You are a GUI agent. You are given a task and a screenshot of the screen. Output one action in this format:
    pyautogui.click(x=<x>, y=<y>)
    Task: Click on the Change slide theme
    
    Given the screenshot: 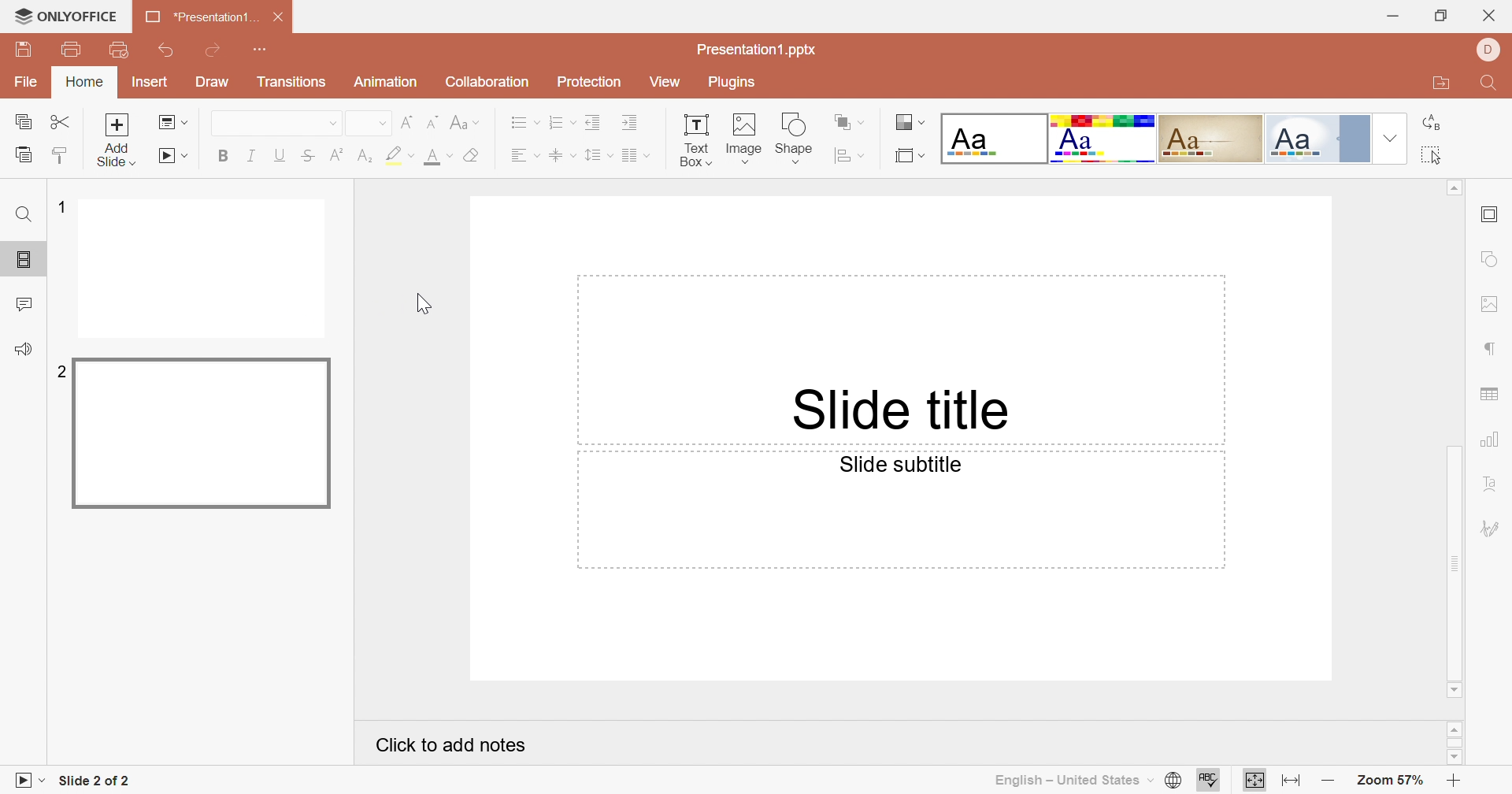 What is the action you would take?
    pyautogui.click(x=902, y=119)
    